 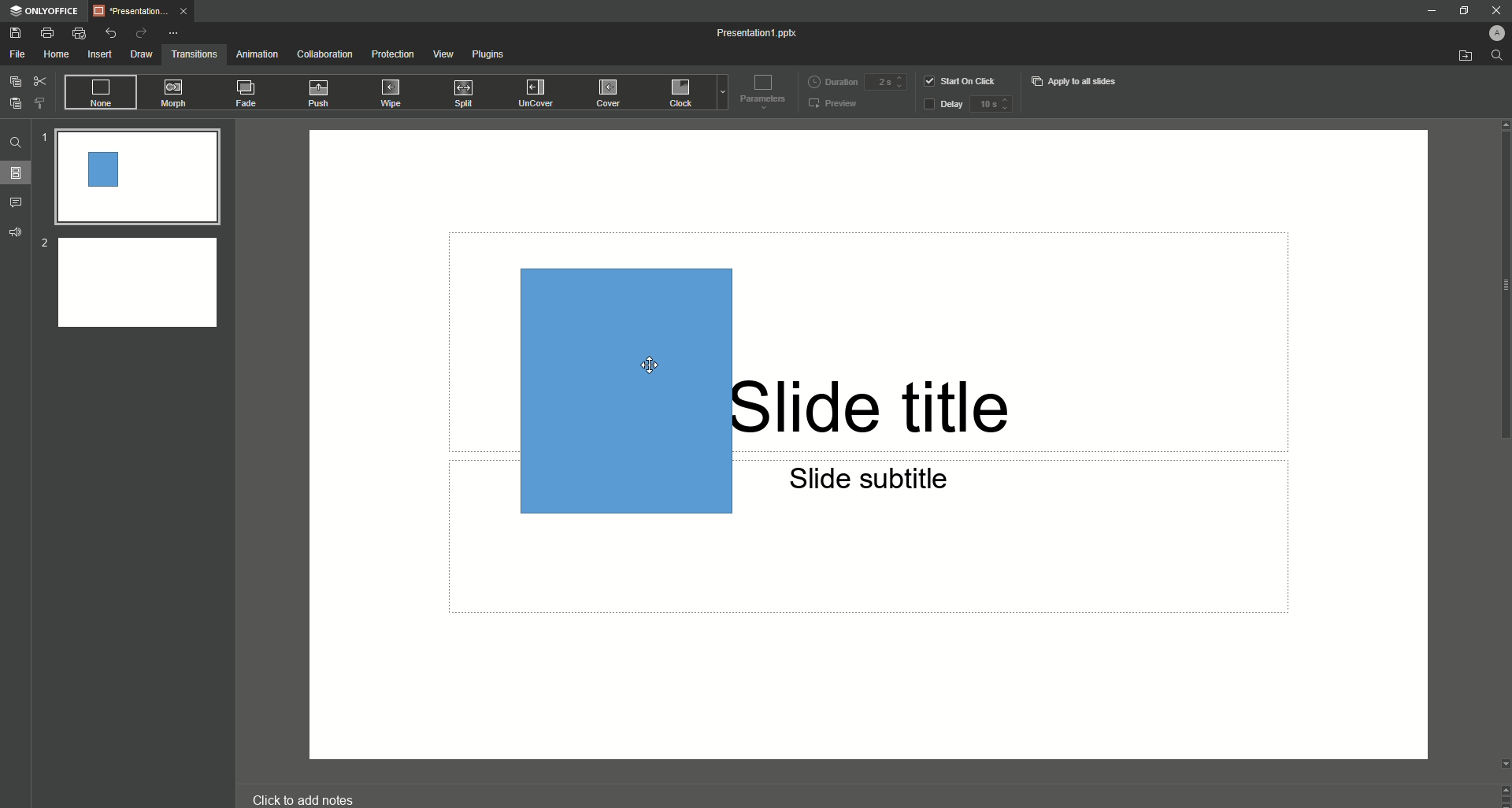 What do you see at coordinates (468, 93) in the screenshot?
I see `Split` at bounding box center [468, 93].